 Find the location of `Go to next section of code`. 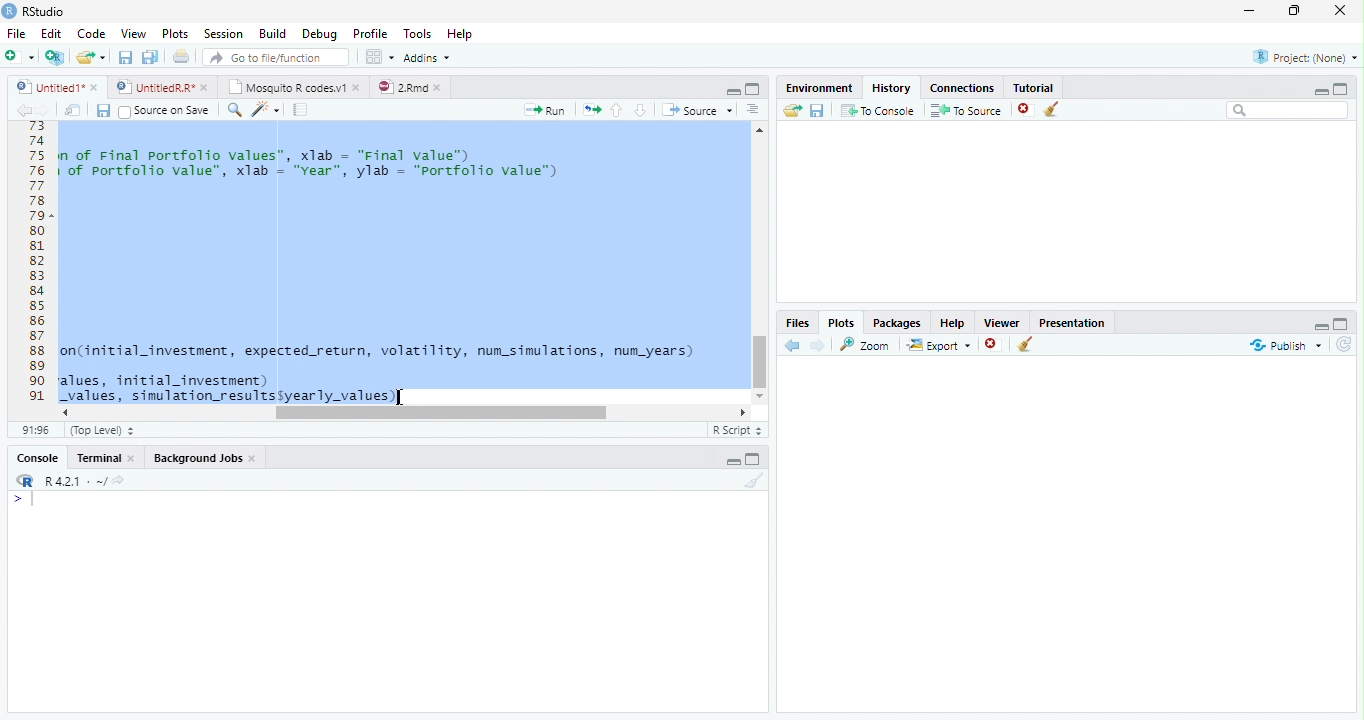

Go to next section of code is located at coordinates (642, 111).